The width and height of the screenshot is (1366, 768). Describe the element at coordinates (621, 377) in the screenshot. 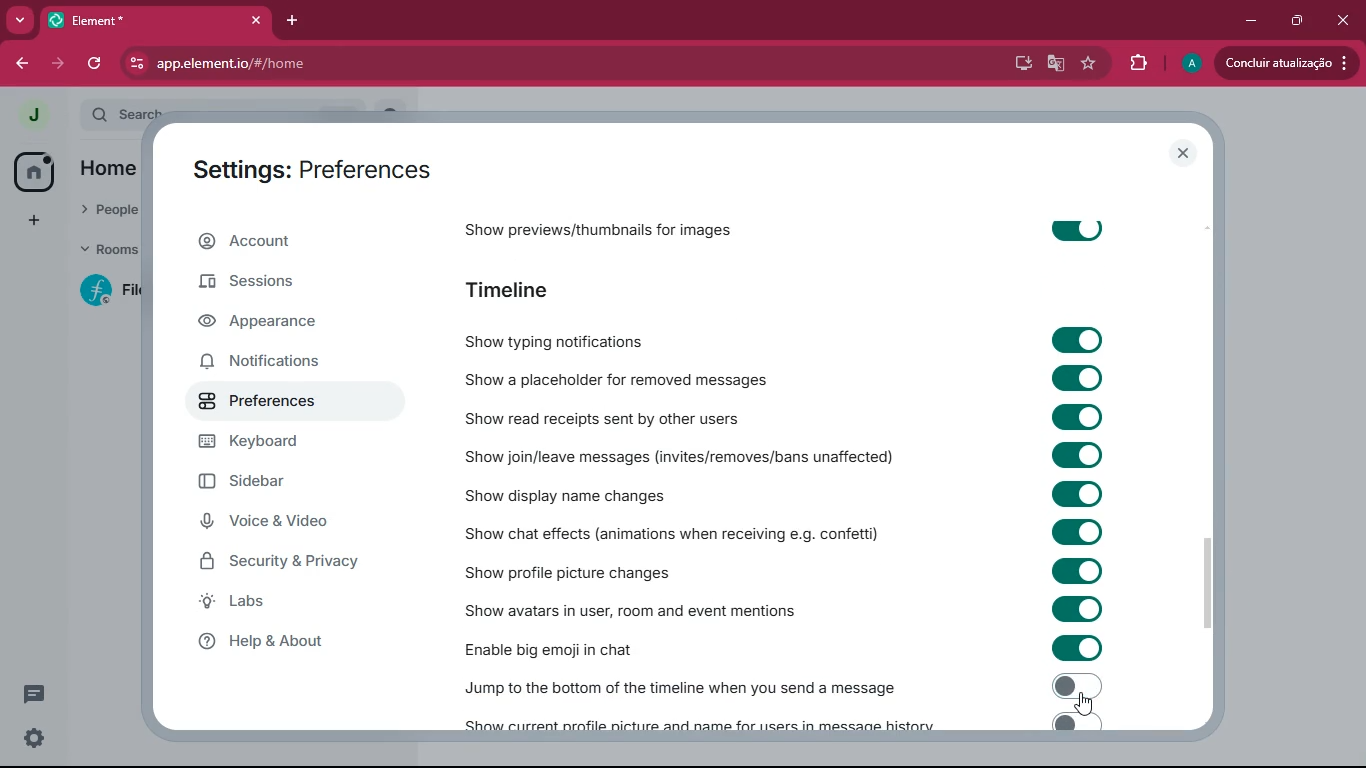

I see `show a placeholder for removed messages` at that location.